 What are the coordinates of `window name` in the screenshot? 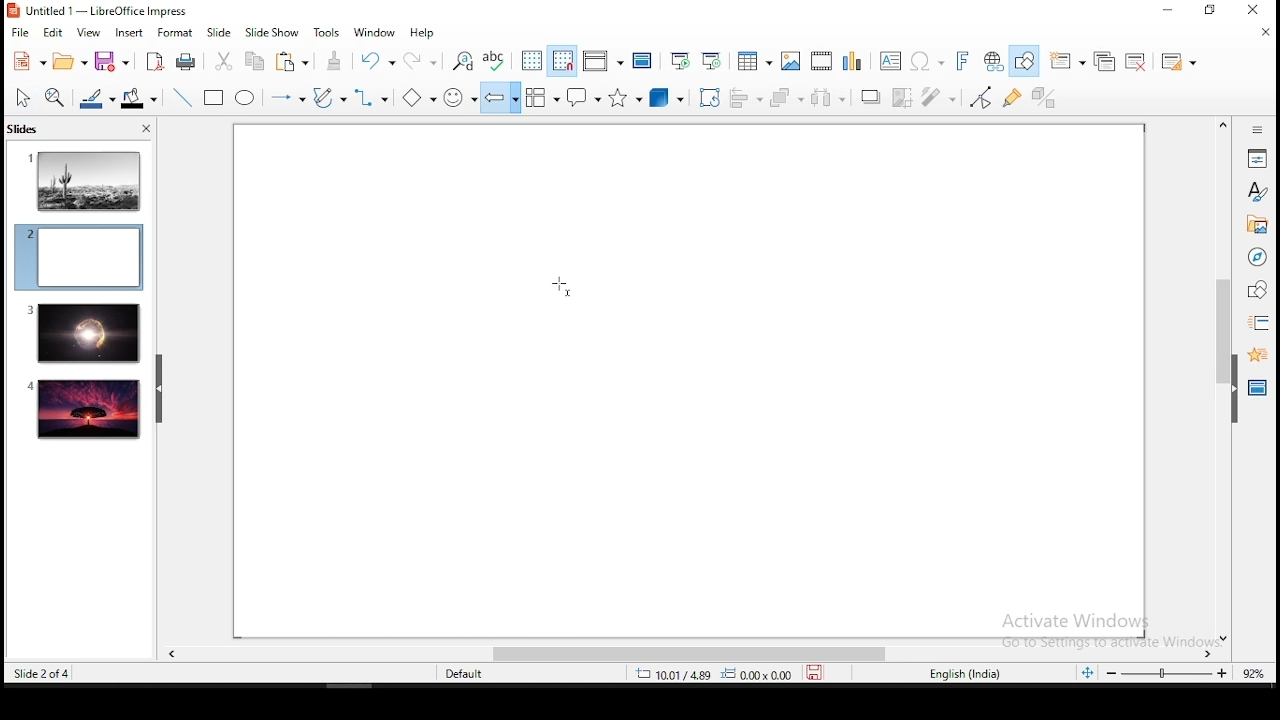 It's located at (100, 10).